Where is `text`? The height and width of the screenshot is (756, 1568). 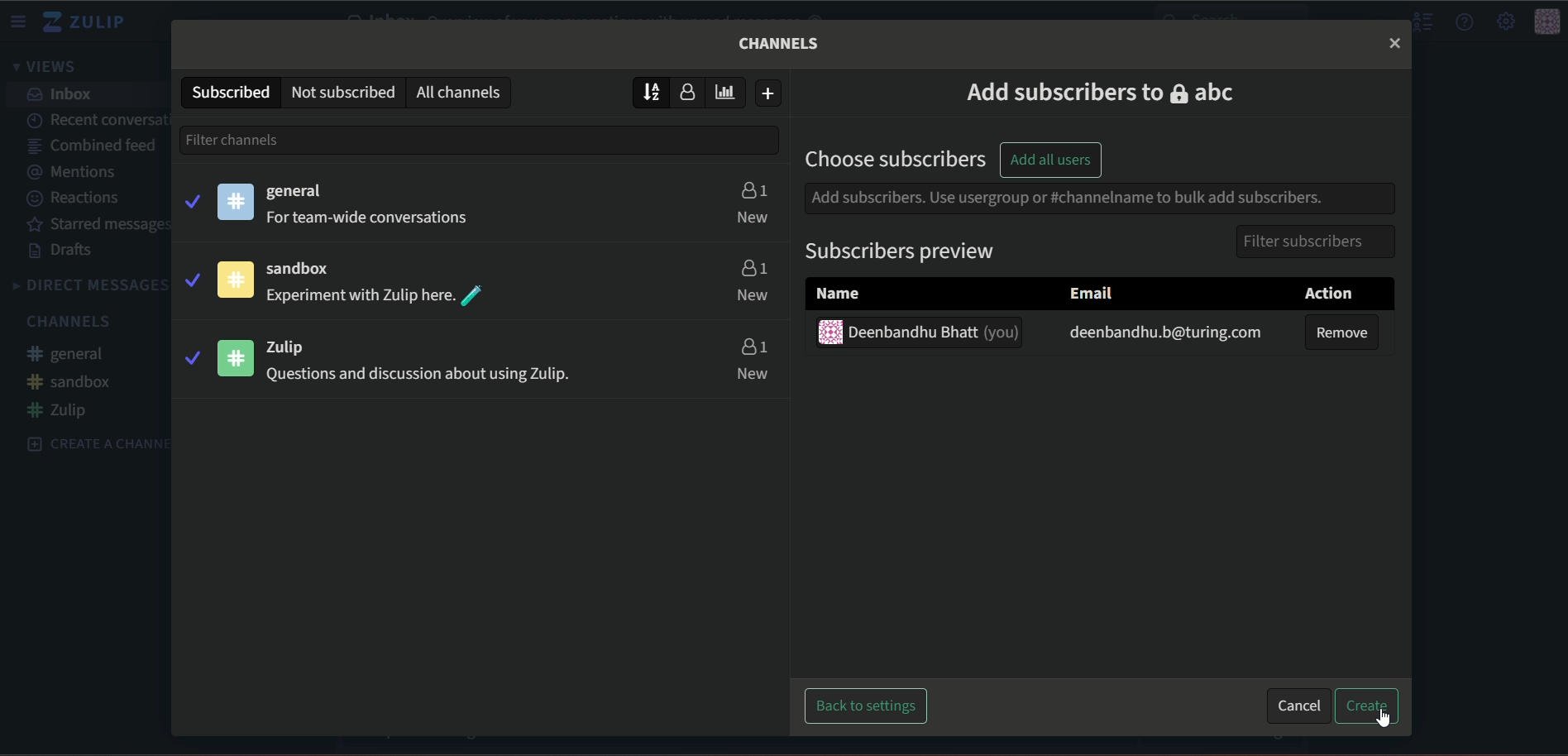 text is located at coordinates (372, 218).